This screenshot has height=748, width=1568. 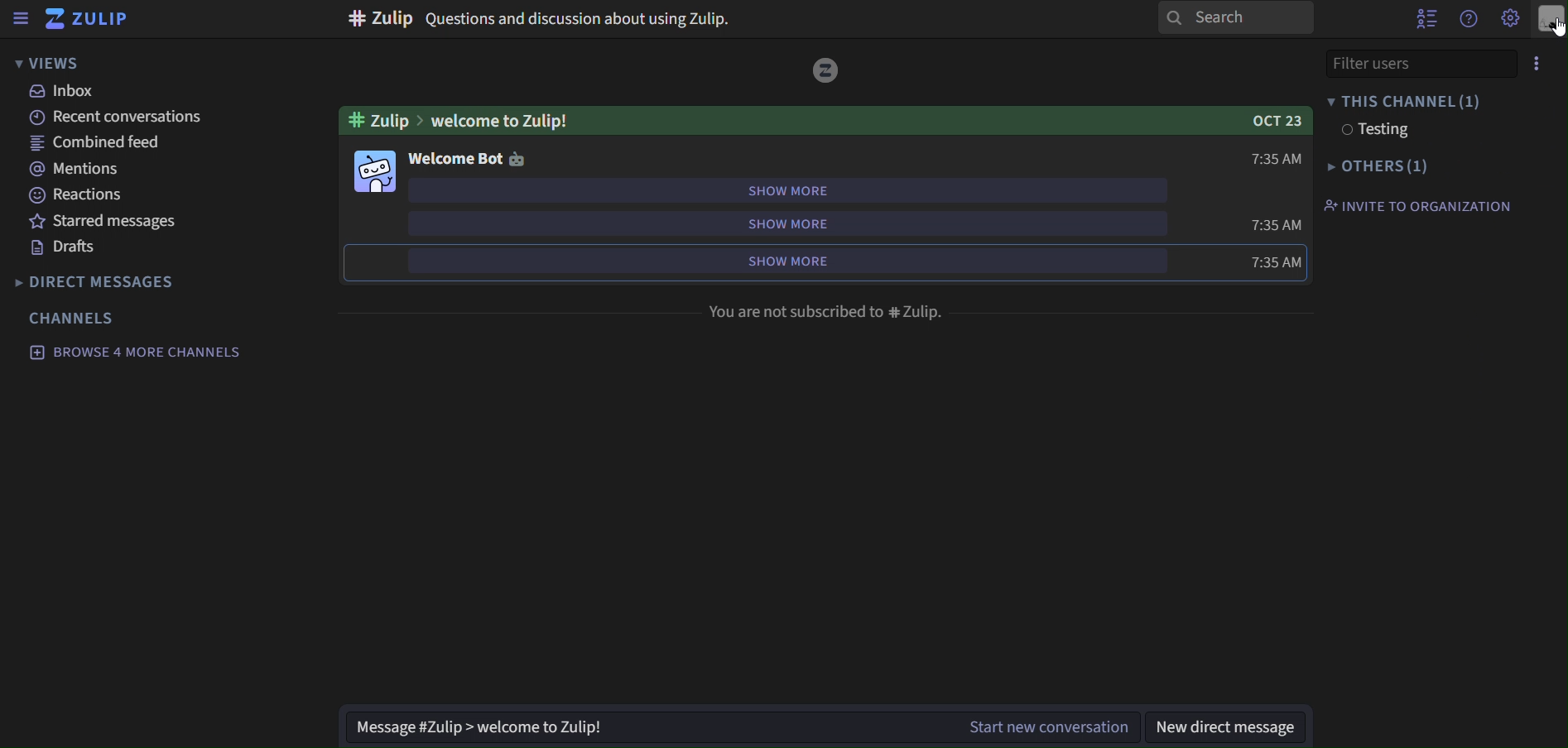 What do you see at coordinates (1054, 726) in the screenshot?
I see `start new conversation` at bounding box center [1054, 726].